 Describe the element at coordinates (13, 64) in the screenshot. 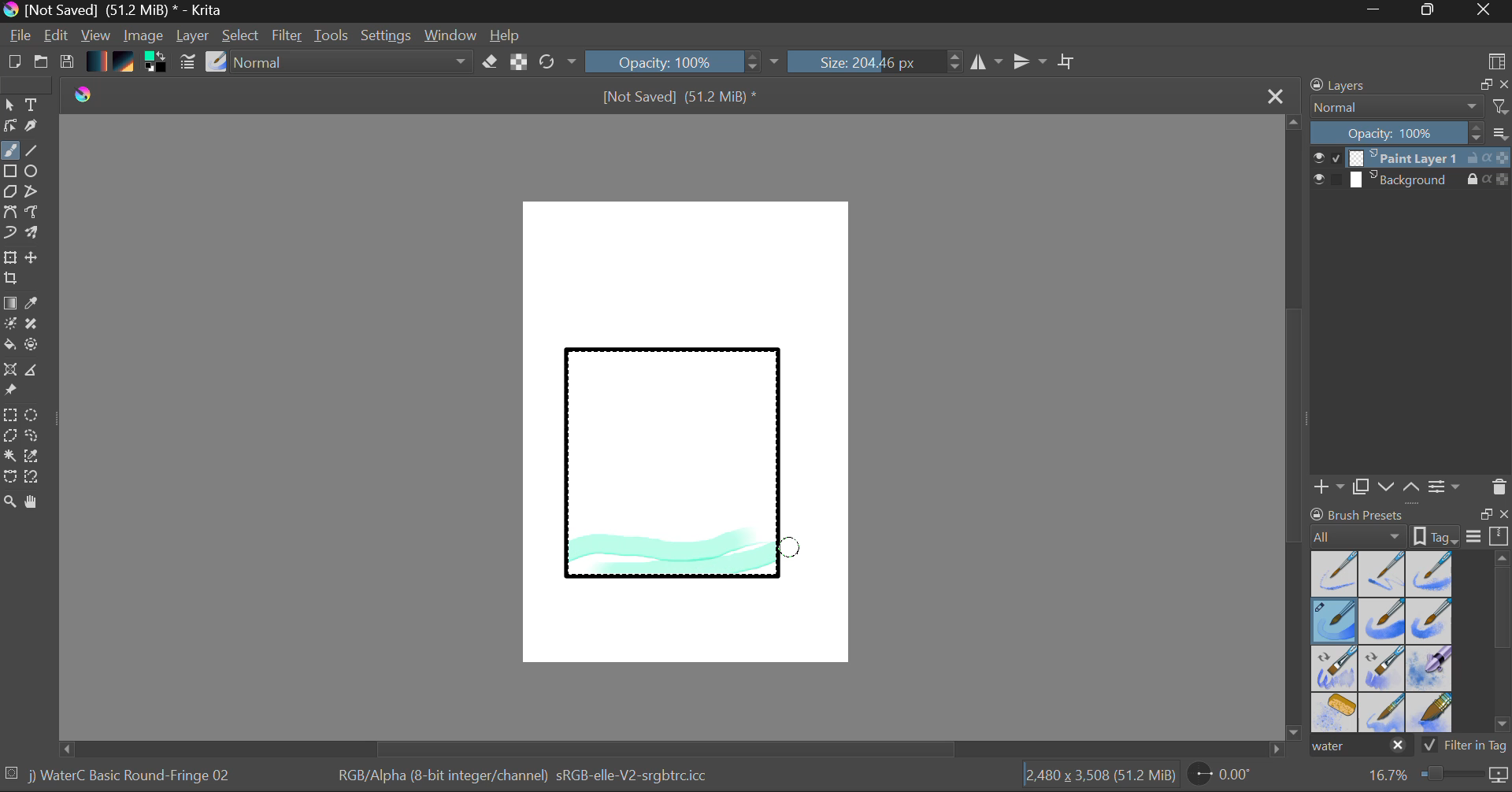

I see `New` at that location.